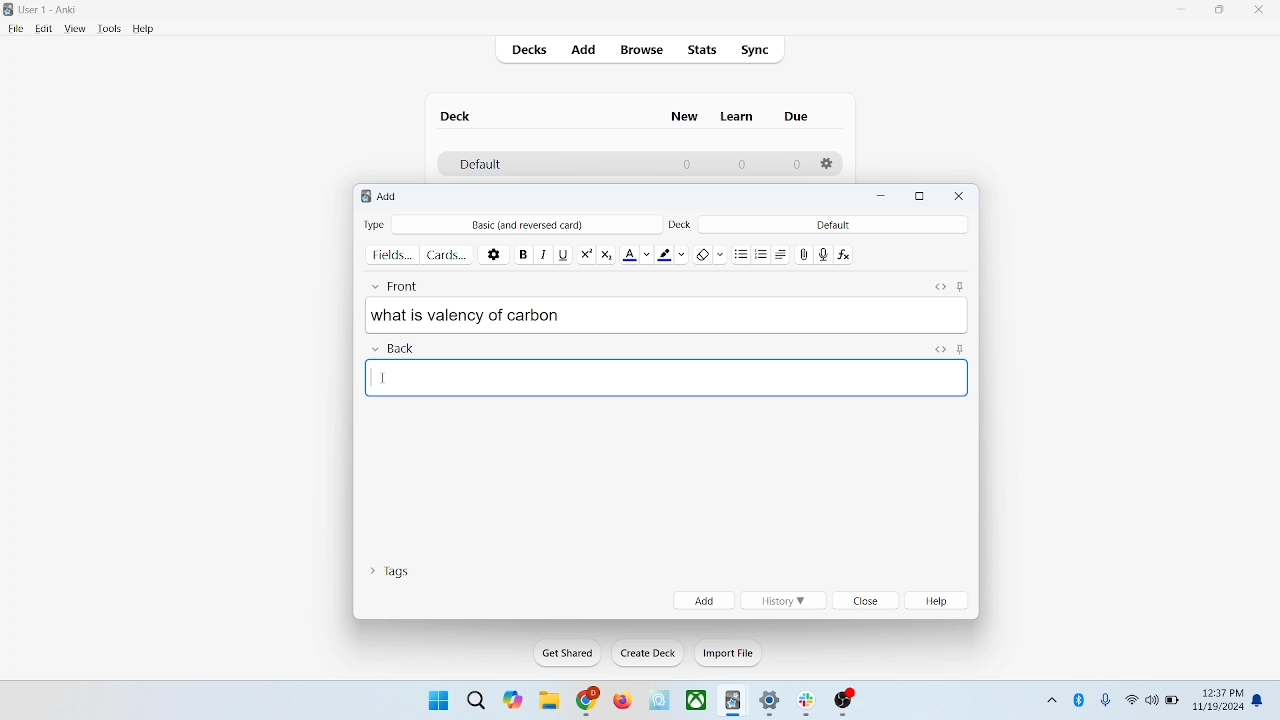  Describe the element at coordinates (383, 380) in the screenshot. I see `cursor` at that location.